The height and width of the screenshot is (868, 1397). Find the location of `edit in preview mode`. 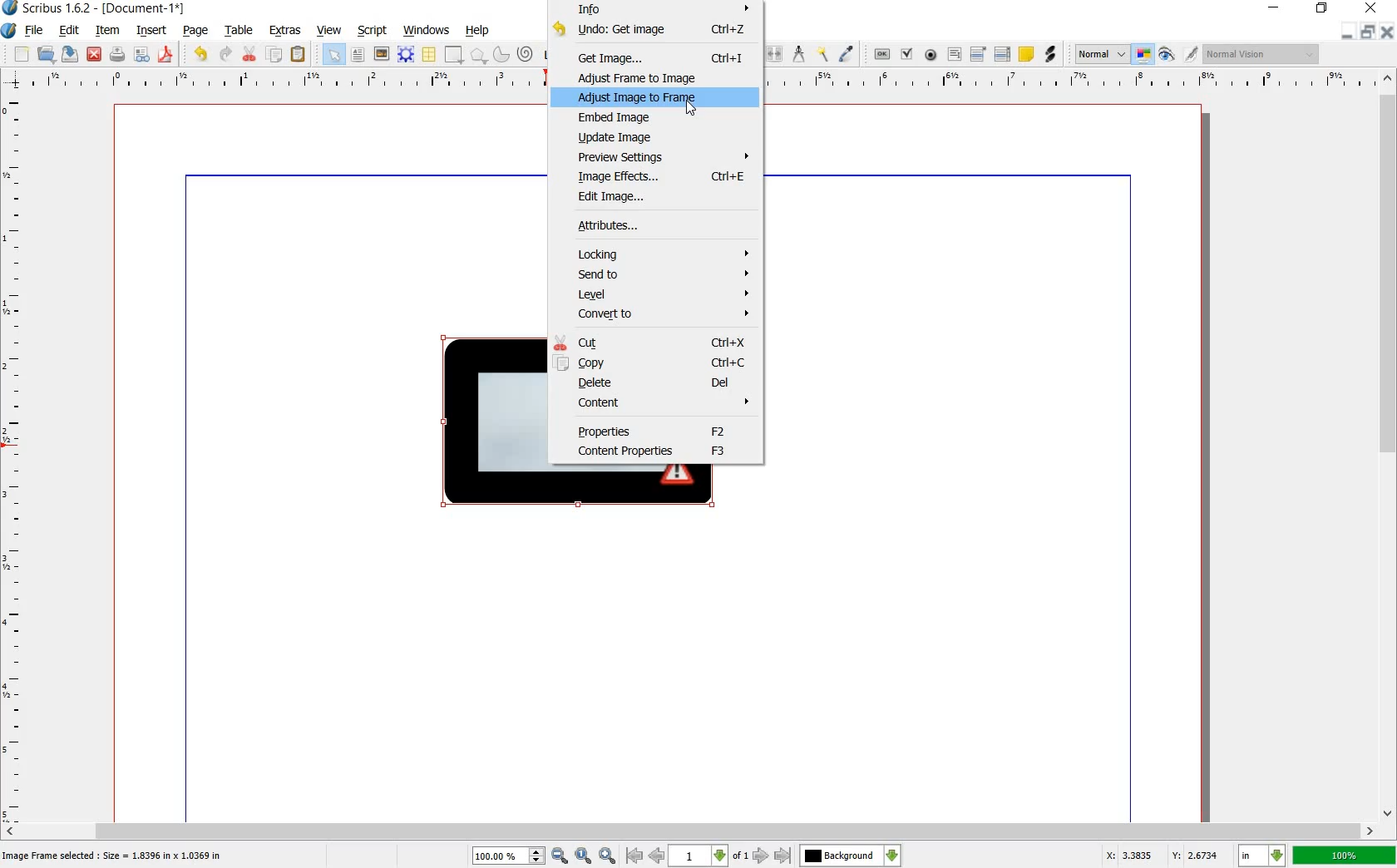

edit in preview mode is located at coordinates (1177, 55).